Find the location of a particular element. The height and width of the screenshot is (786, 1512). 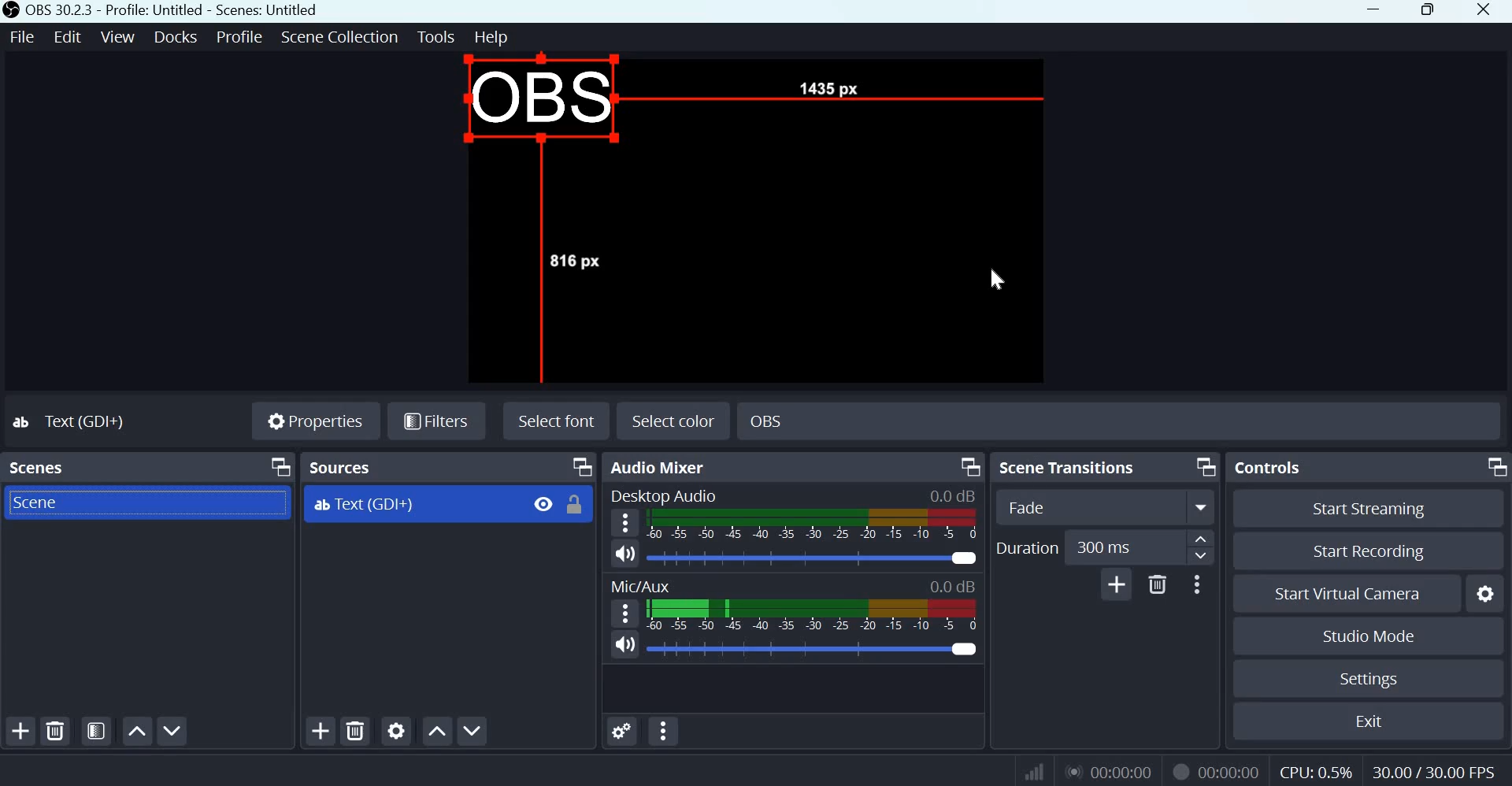

Volume Meter is located at coordinates (811, 525).